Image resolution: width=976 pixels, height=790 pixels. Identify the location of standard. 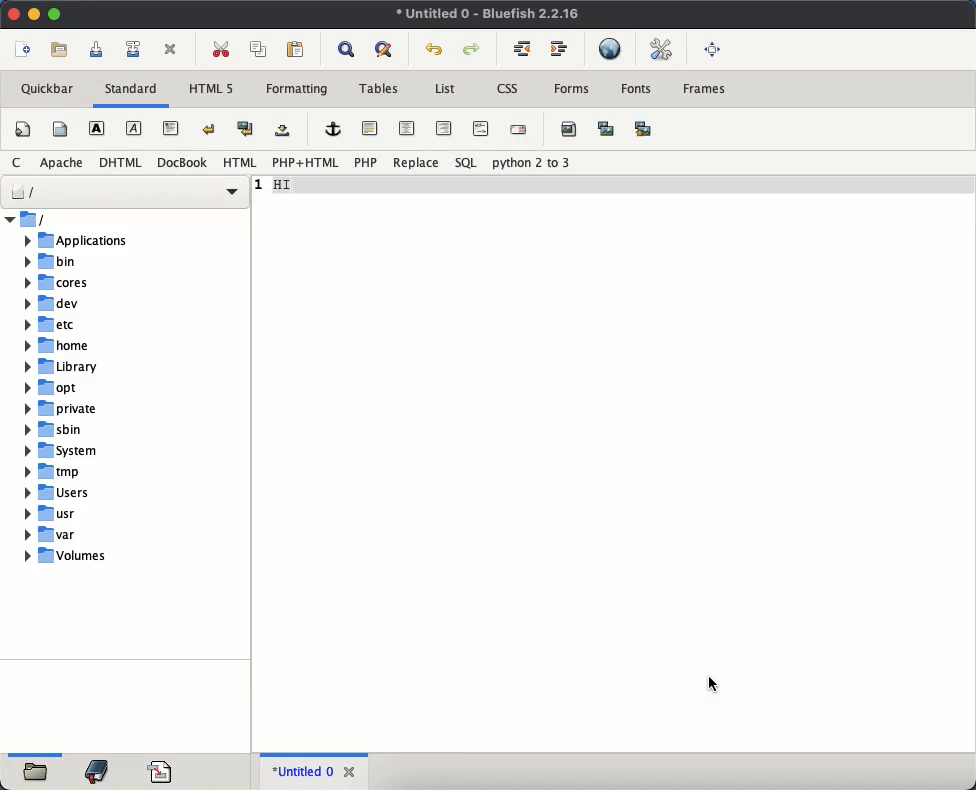
(134, 90).